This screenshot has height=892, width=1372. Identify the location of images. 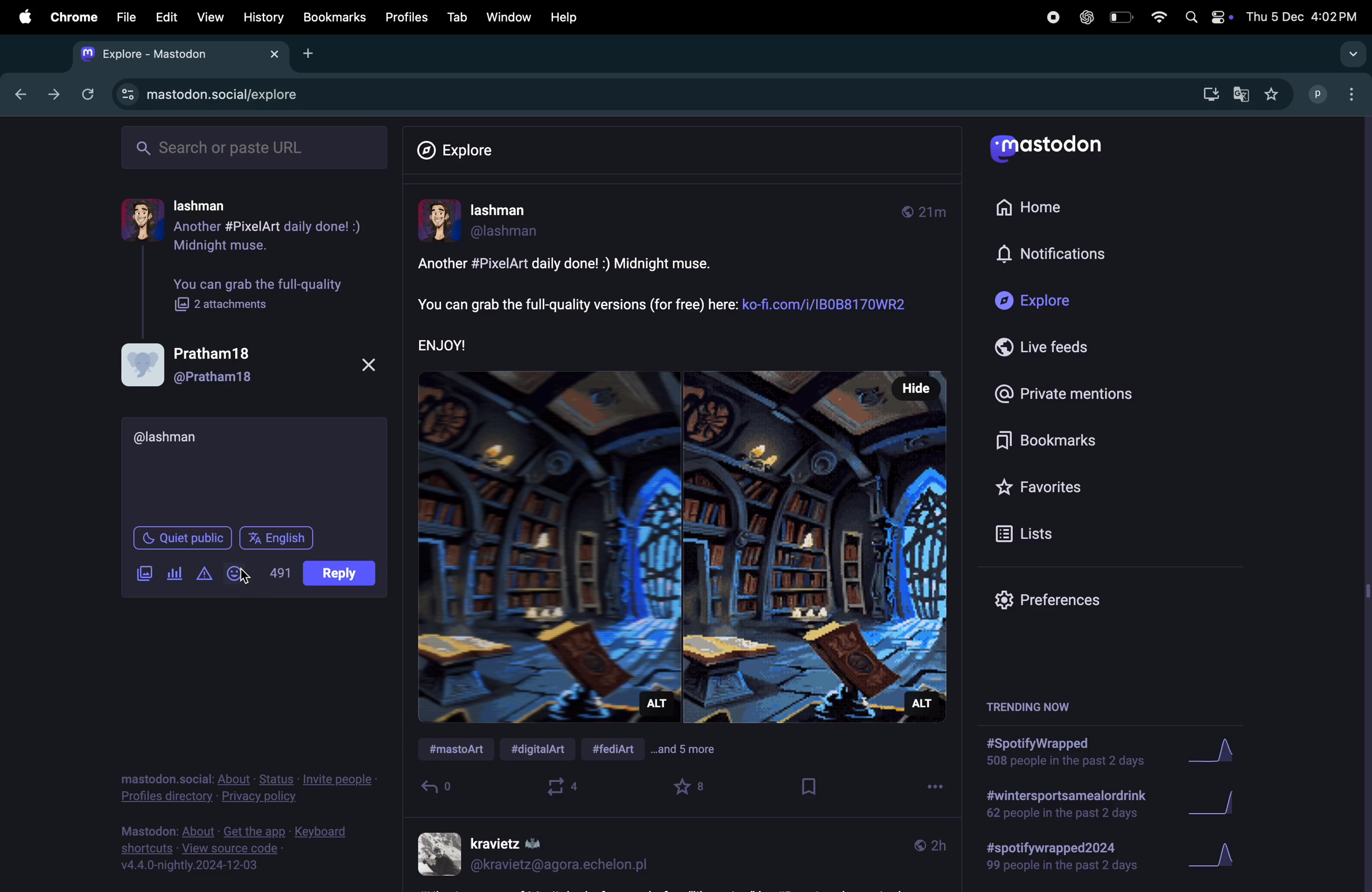
(140, 574).